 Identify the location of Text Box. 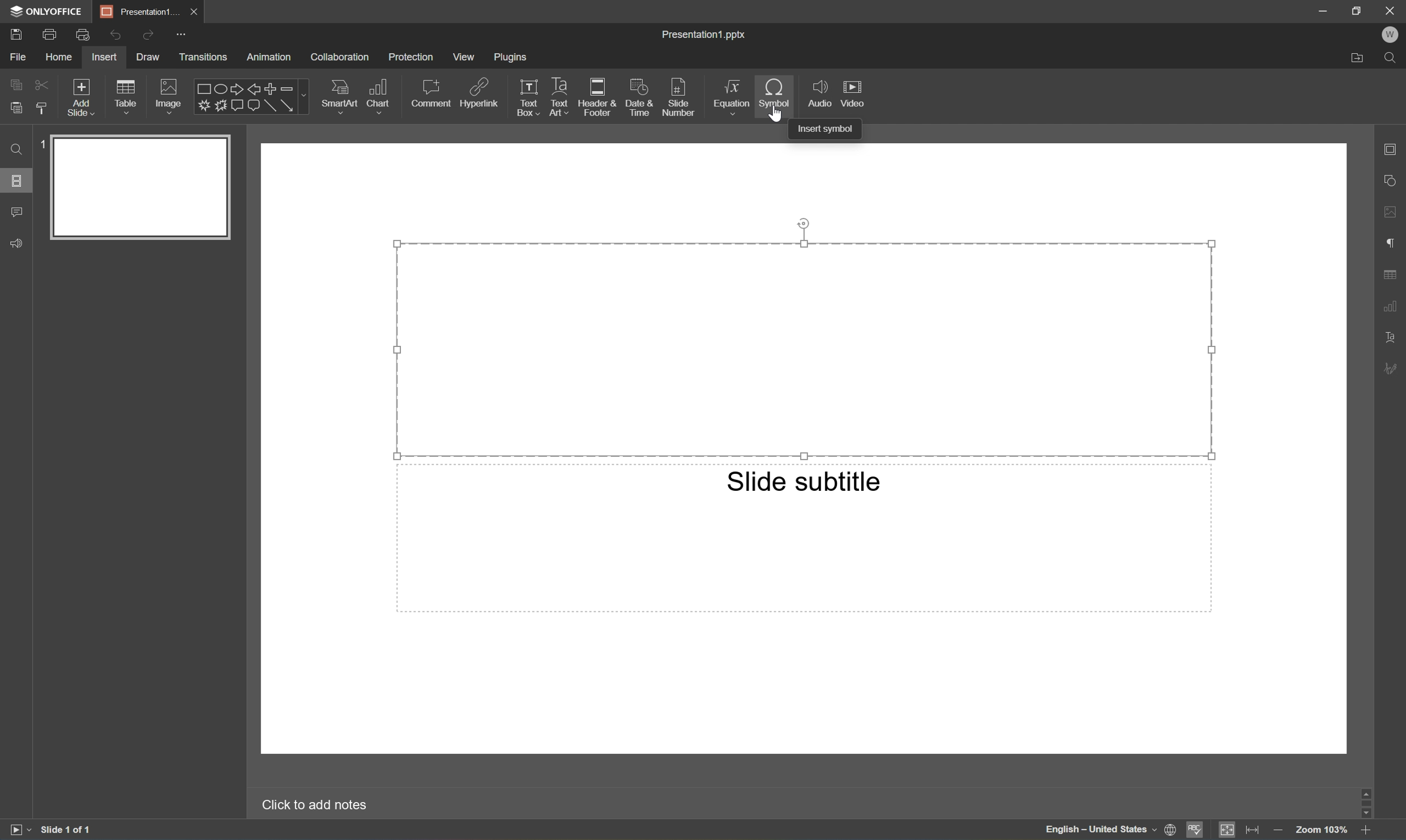
(529, 98).